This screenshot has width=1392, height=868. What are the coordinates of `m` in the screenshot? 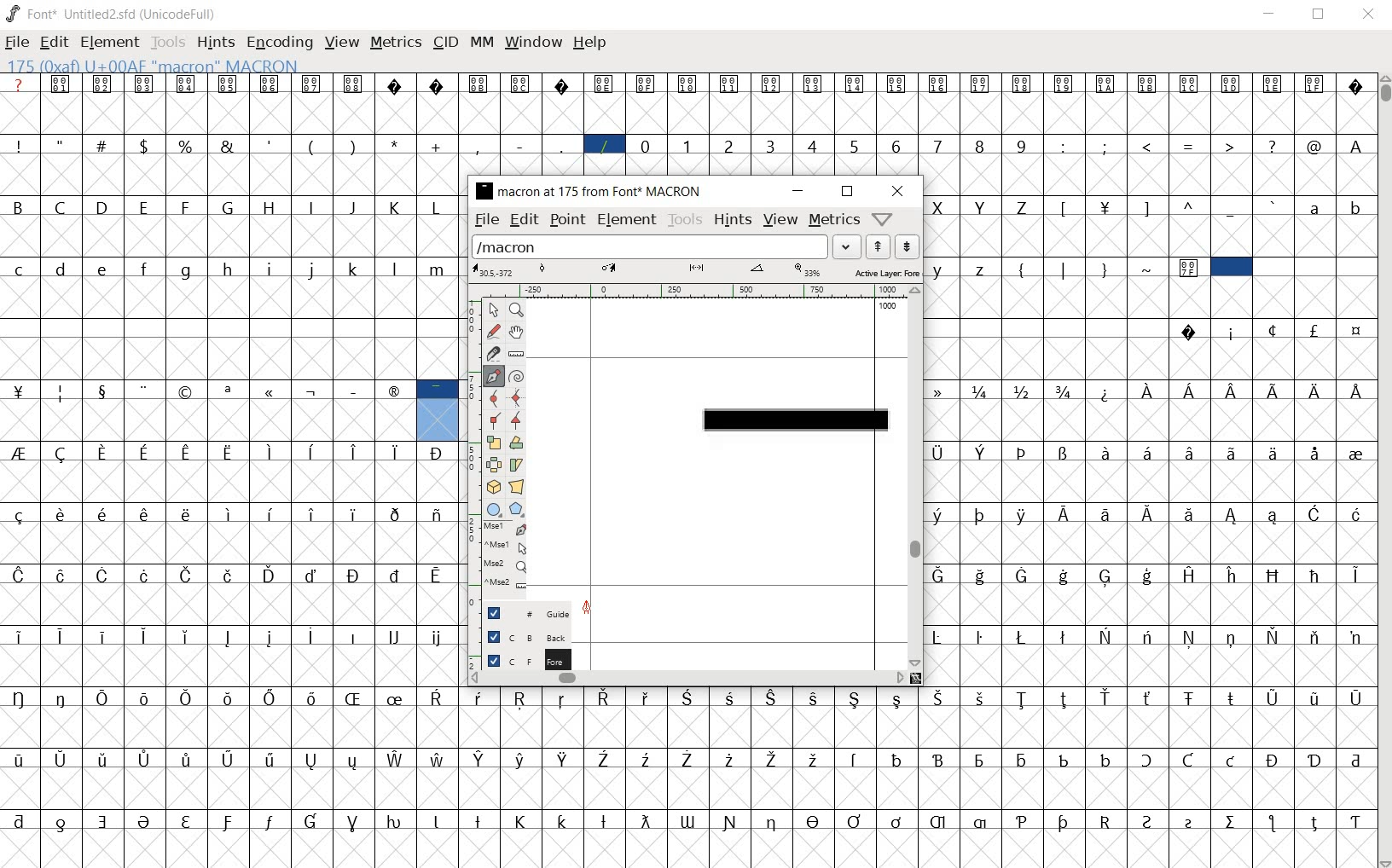 It's located at (438, 268).